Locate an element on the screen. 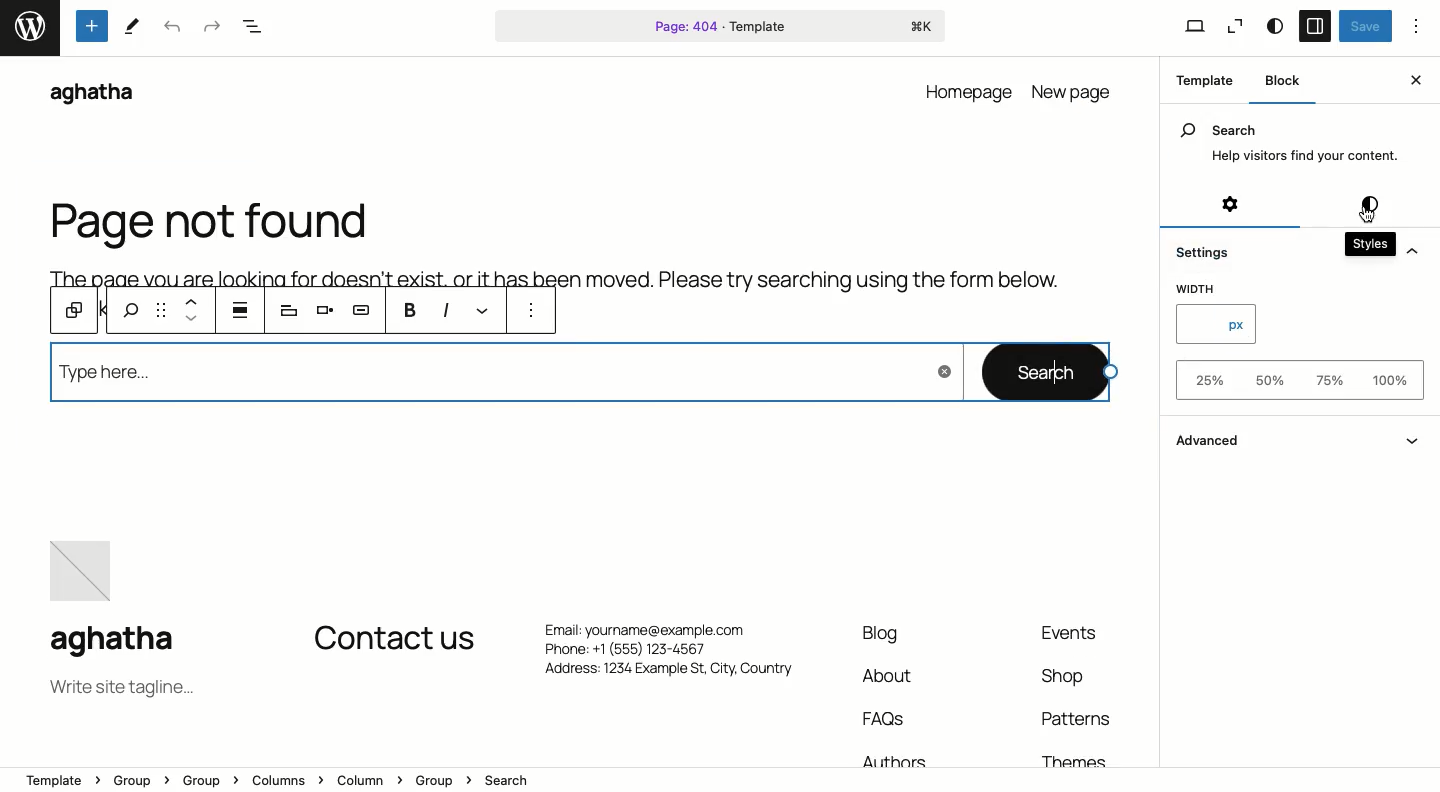 This screenshot has width=1440, height=792. Cursor is located at coordinates (1367, 213).